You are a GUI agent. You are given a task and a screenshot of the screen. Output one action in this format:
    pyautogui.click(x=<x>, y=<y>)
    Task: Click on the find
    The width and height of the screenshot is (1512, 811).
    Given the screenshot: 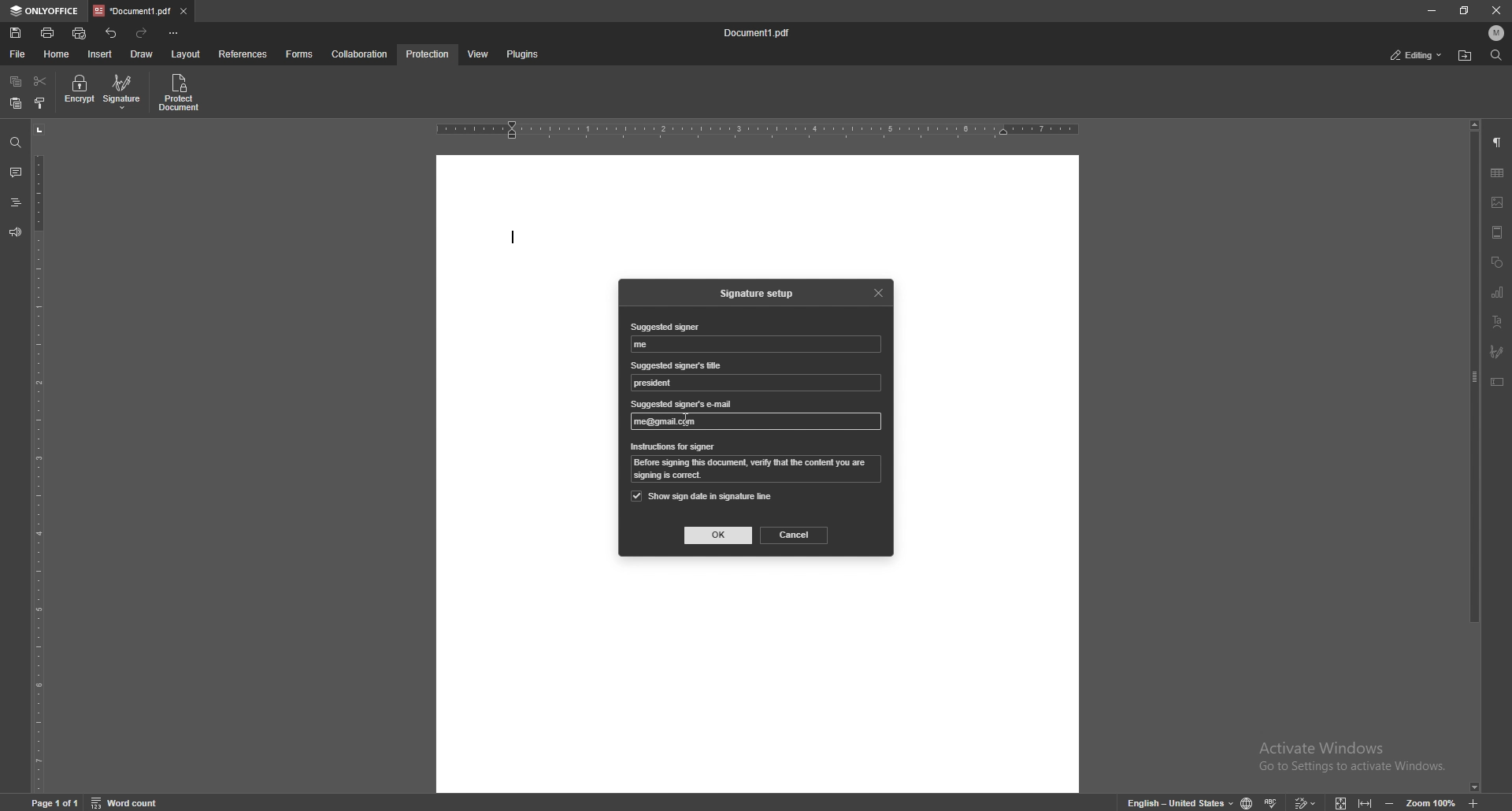 What is the action you would take?
    pyautogui.click(x=16, y=143)
    